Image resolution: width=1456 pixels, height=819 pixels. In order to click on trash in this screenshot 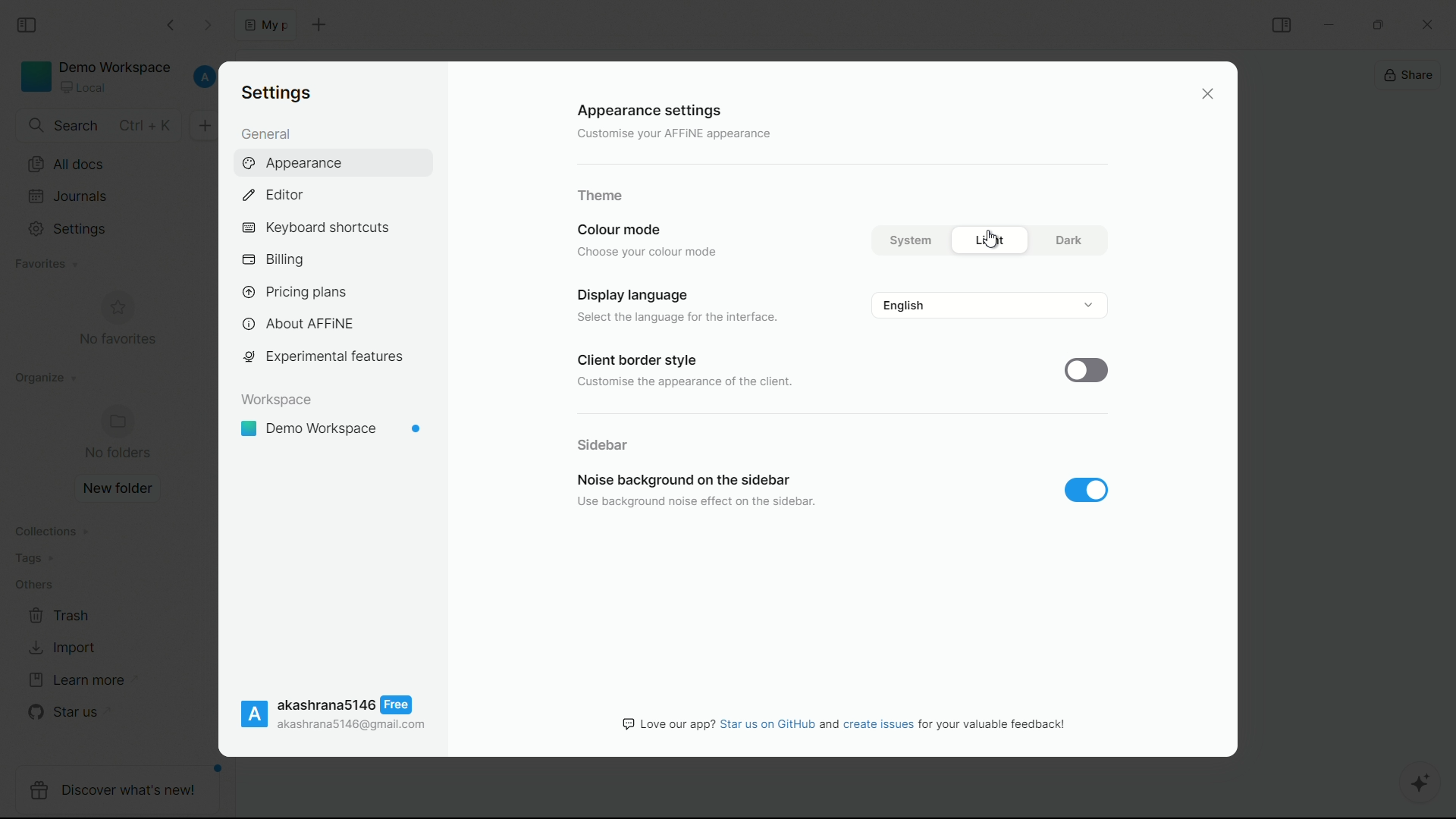, I will do `click(61, 616)`.